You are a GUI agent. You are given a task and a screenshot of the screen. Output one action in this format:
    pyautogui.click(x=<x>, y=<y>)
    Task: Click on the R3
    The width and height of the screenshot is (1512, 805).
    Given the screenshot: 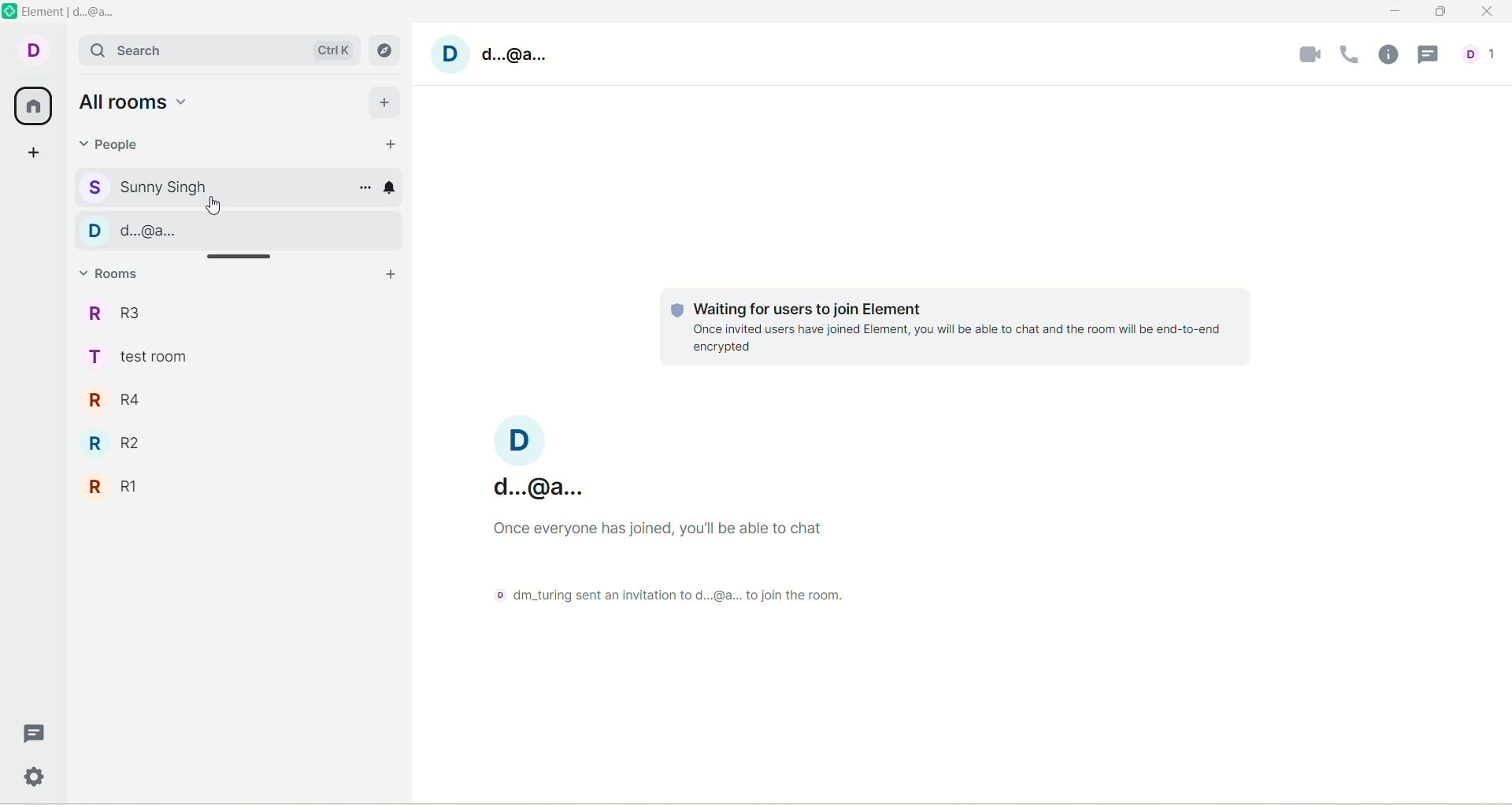 What is the action you would take?
    pyautogui.click(x=127, y=312)
    